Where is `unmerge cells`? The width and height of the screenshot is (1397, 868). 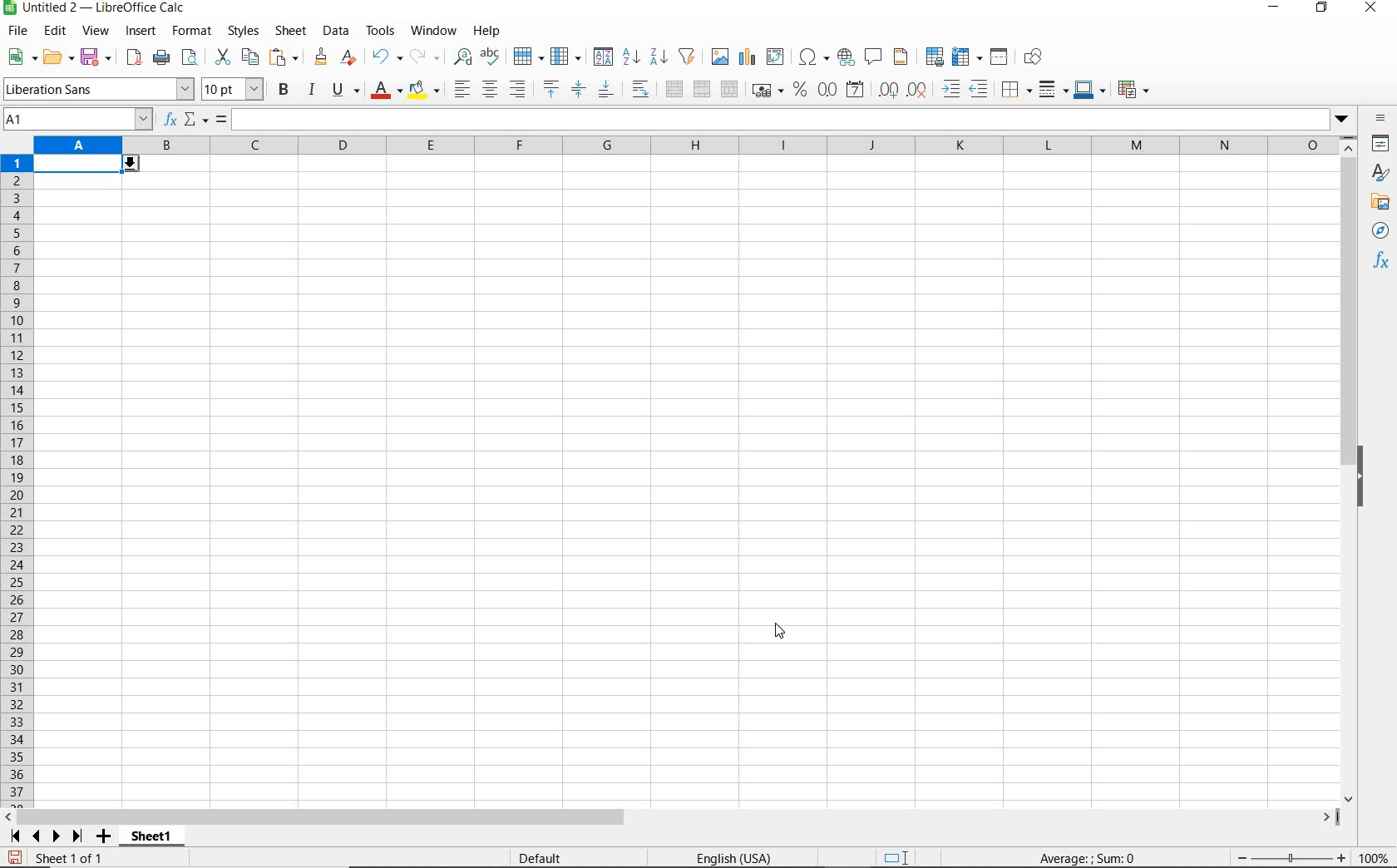 unmerge cells is located at coordinates (729, 89).